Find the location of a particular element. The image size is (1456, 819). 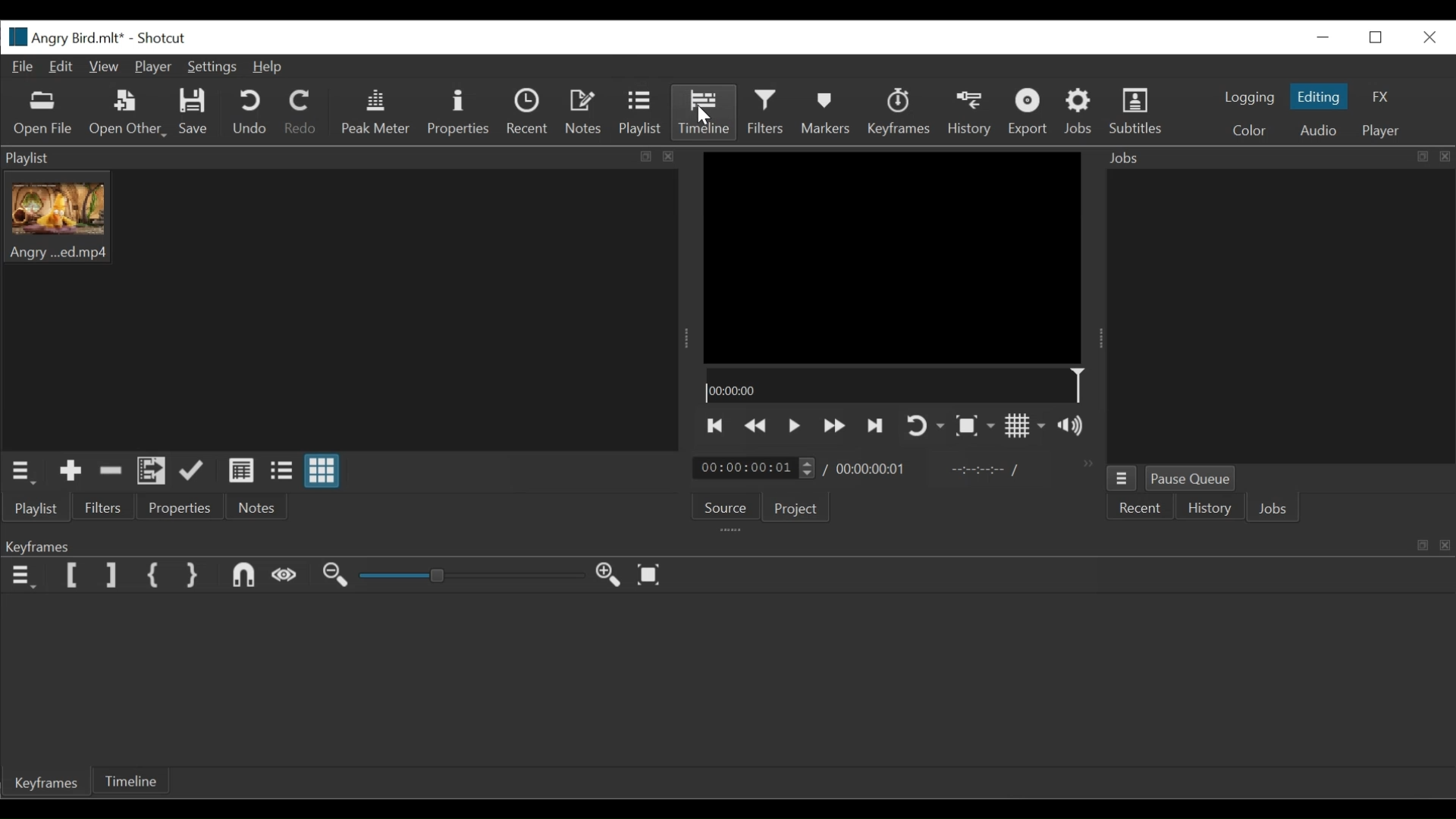

Zoom keyframe in is located at coordinates (610, 574).